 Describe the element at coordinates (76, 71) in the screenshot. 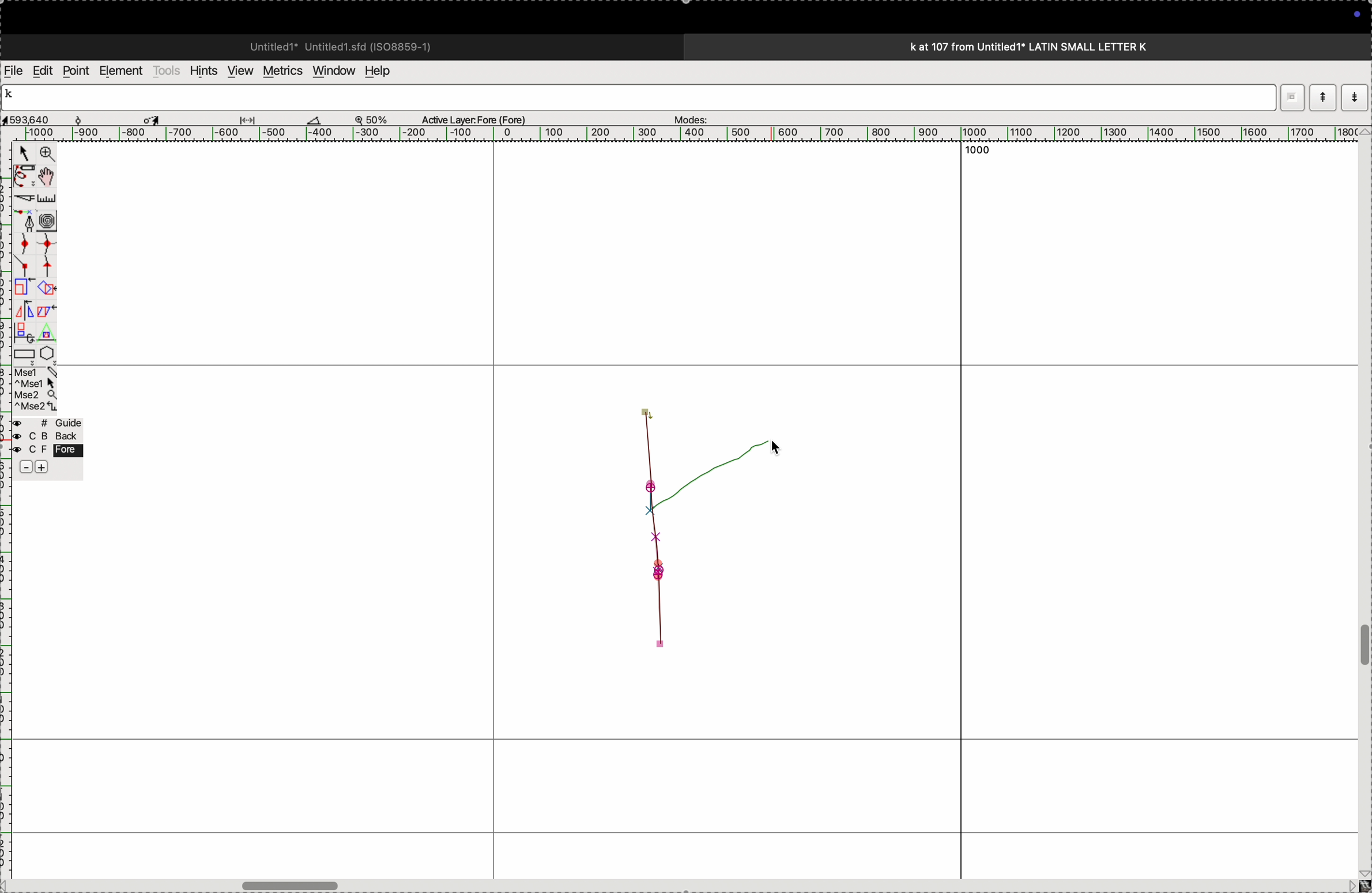

I see `point` at that location.